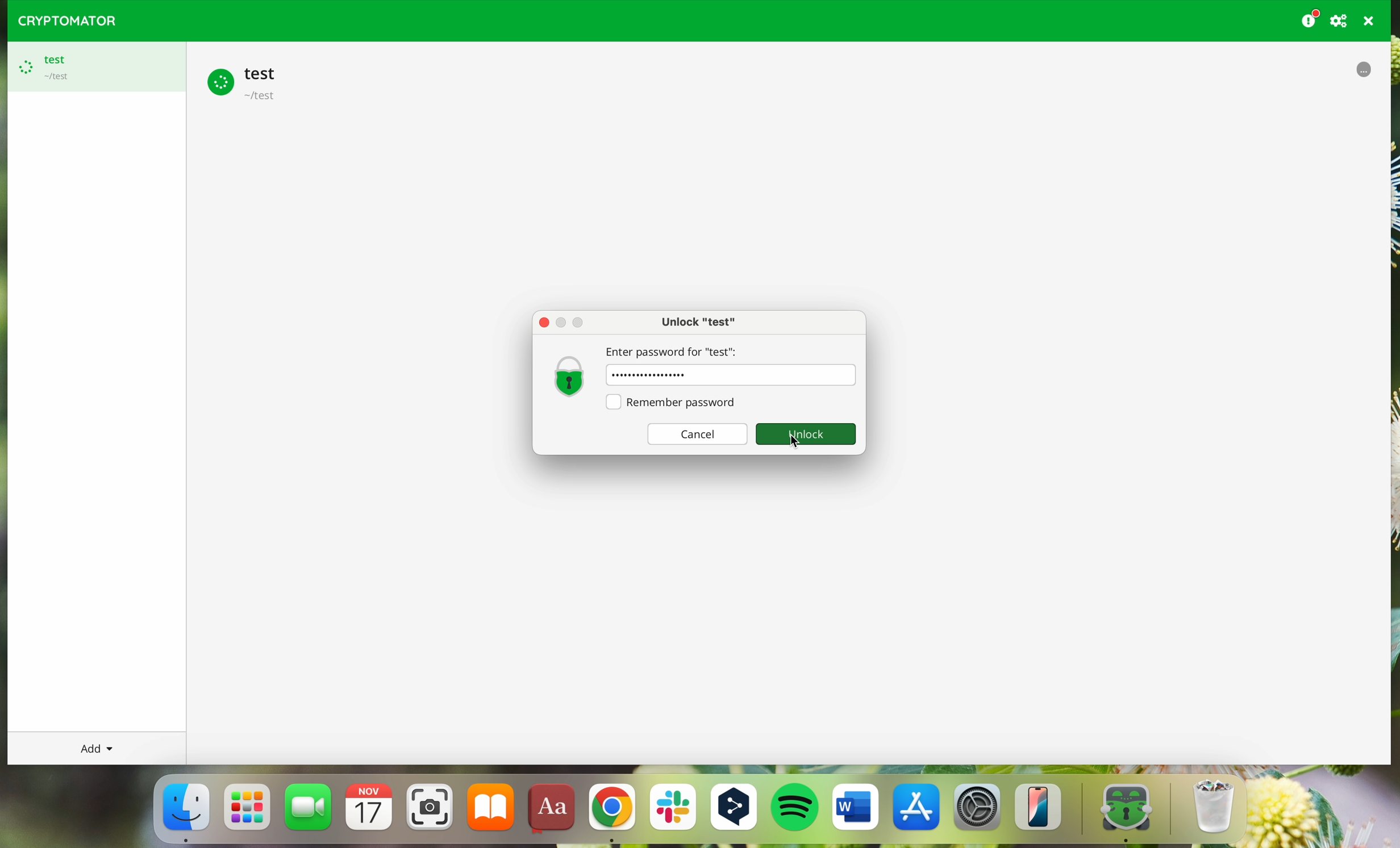  What do you see at coordinates (544, 322) in the screenshot?
I see `` at bounding box center [544, 322].